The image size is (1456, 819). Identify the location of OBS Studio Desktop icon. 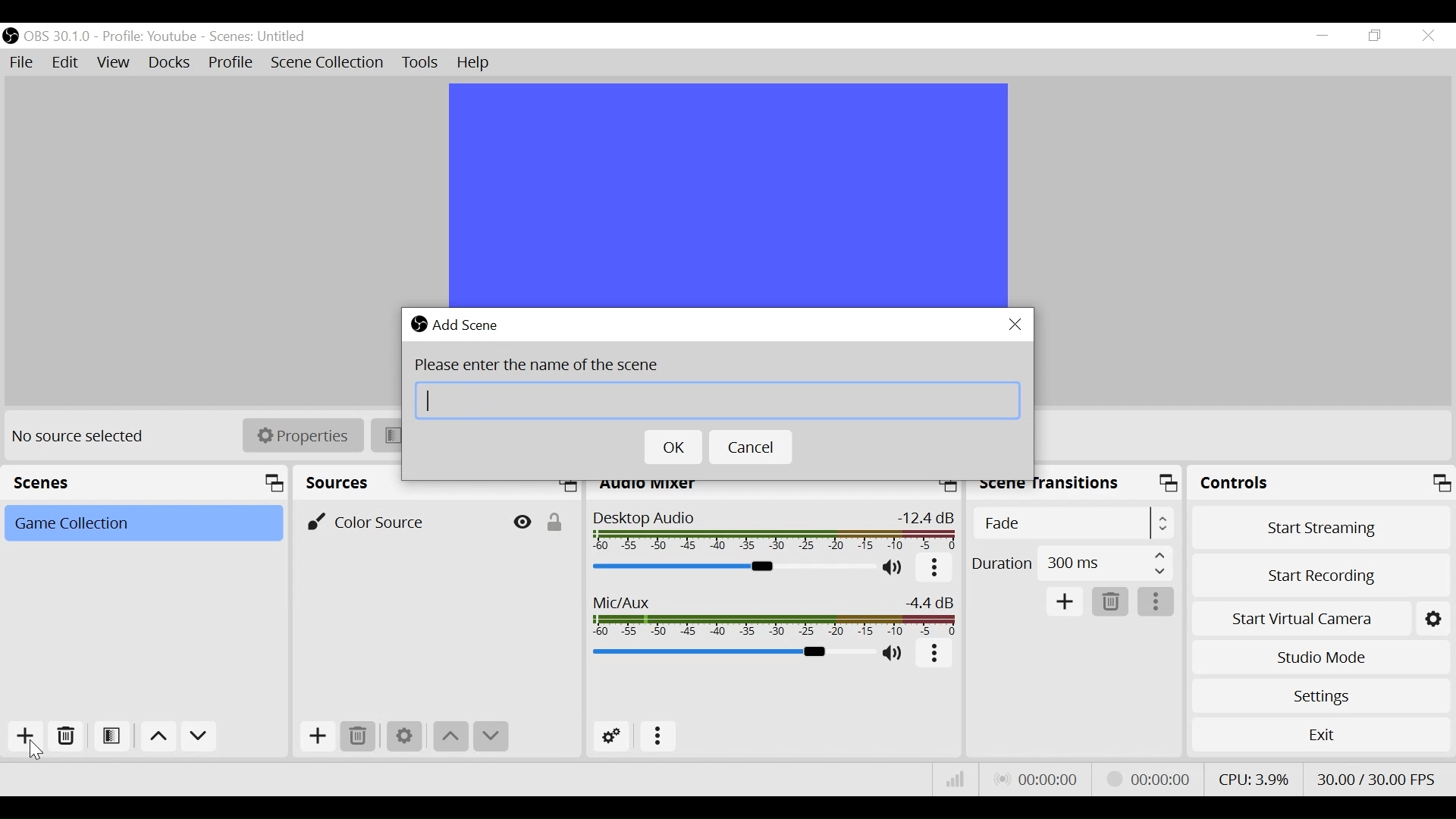
(417, 324).